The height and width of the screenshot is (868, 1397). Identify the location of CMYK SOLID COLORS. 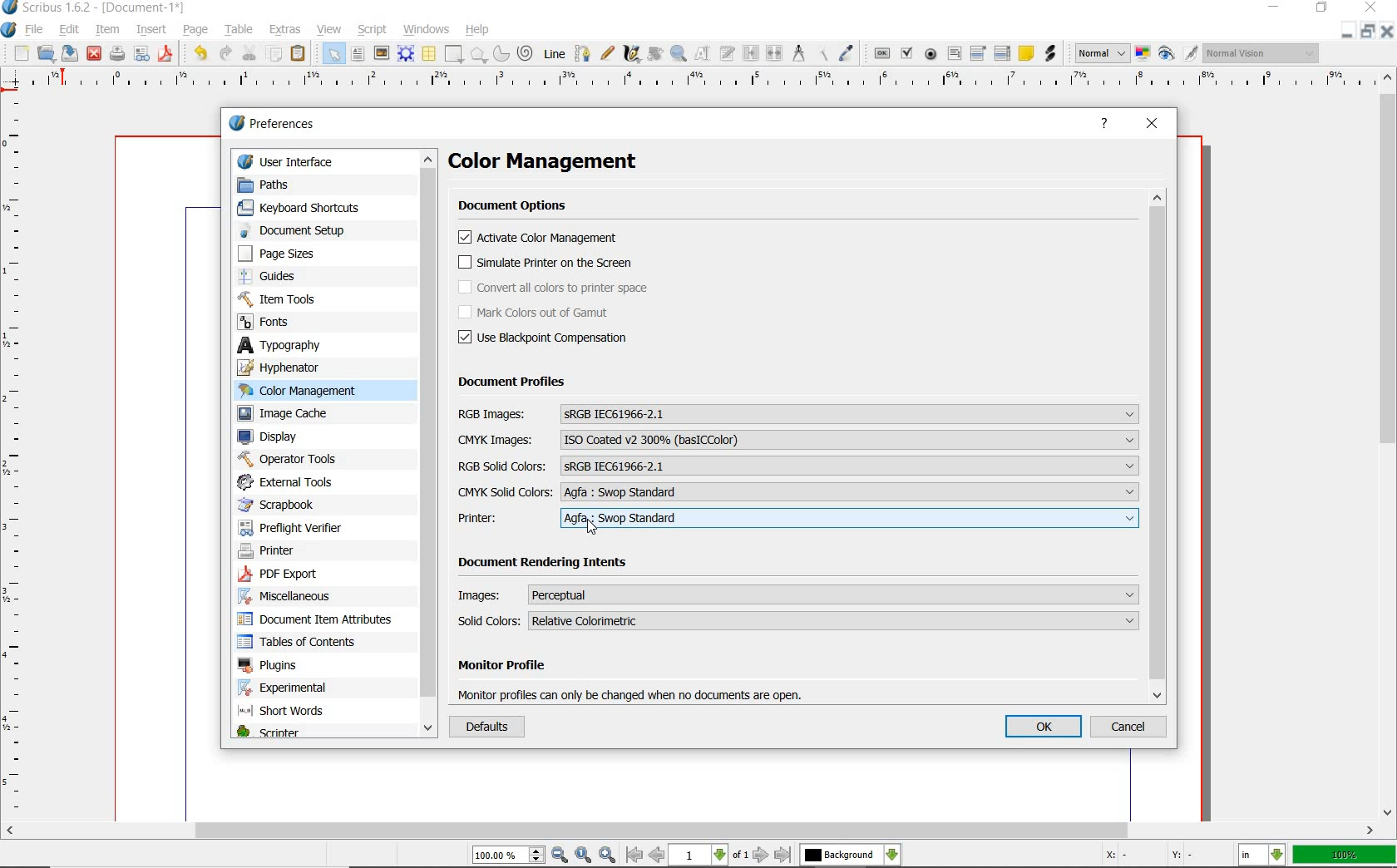
(797, 492).